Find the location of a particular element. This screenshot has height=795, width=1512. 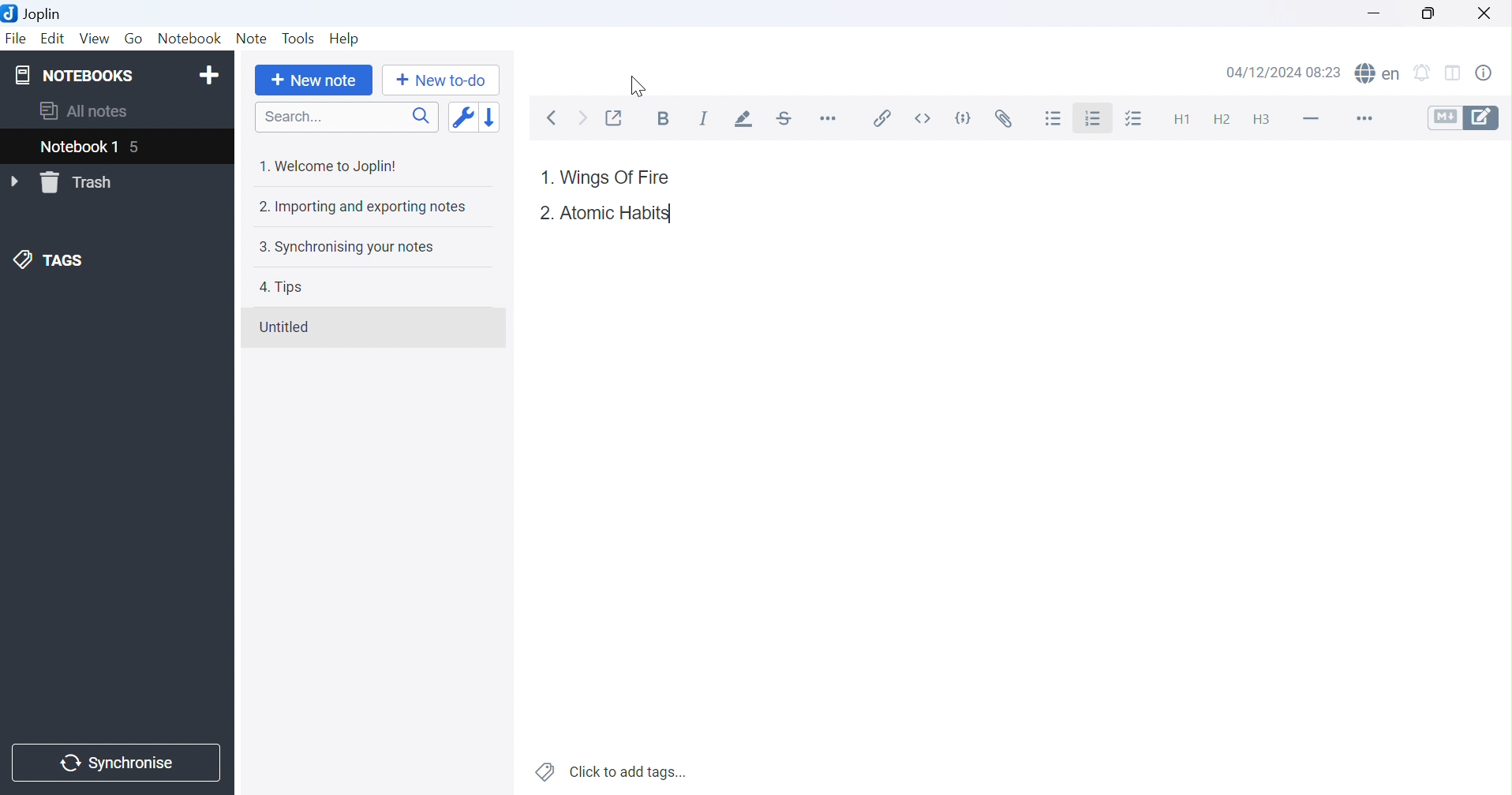

Heading 3 is located at coordinates (1267, 120).